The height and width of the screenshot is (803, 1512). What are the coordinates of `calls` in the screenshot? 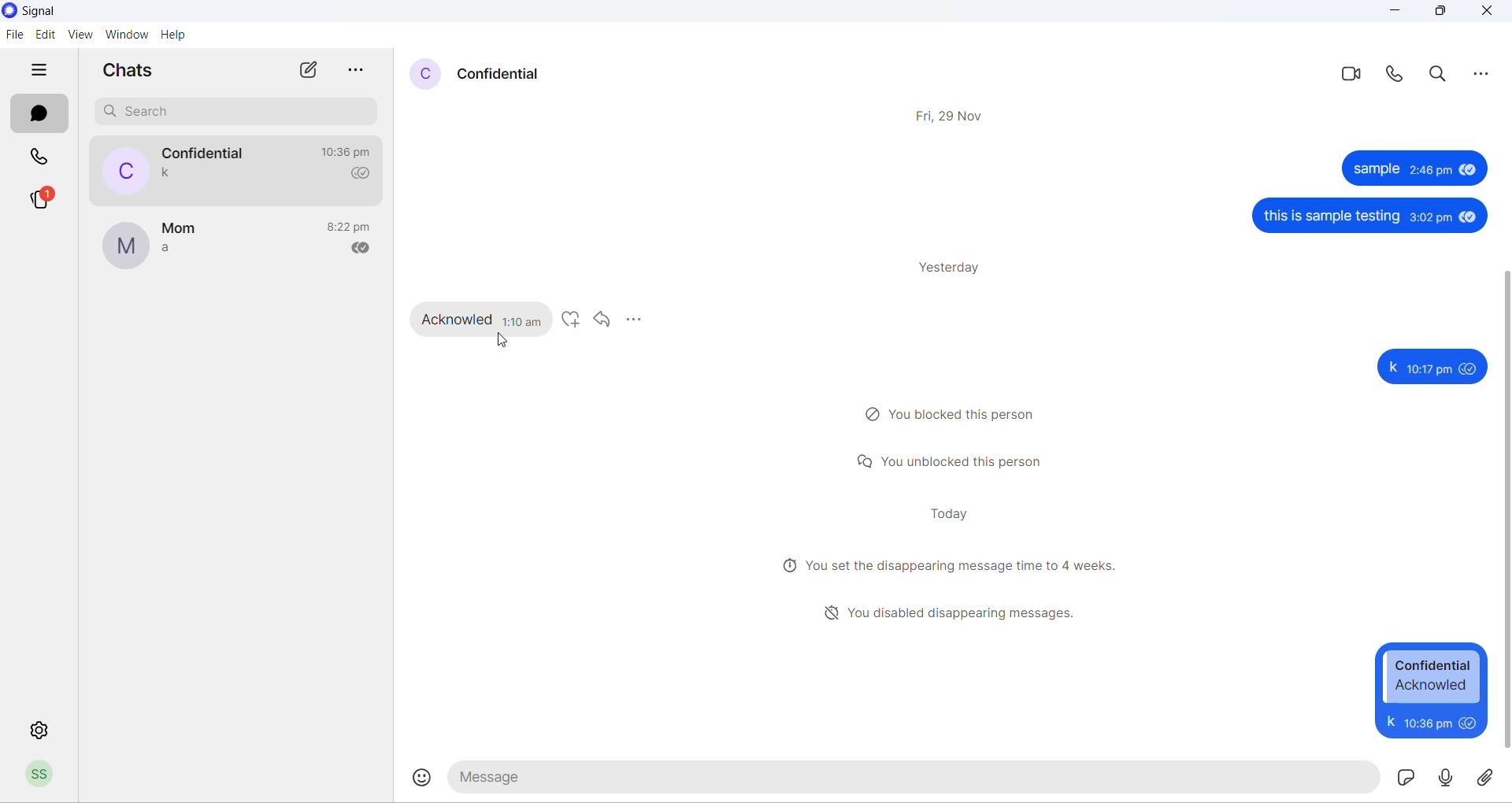 It's located at (44, 160).